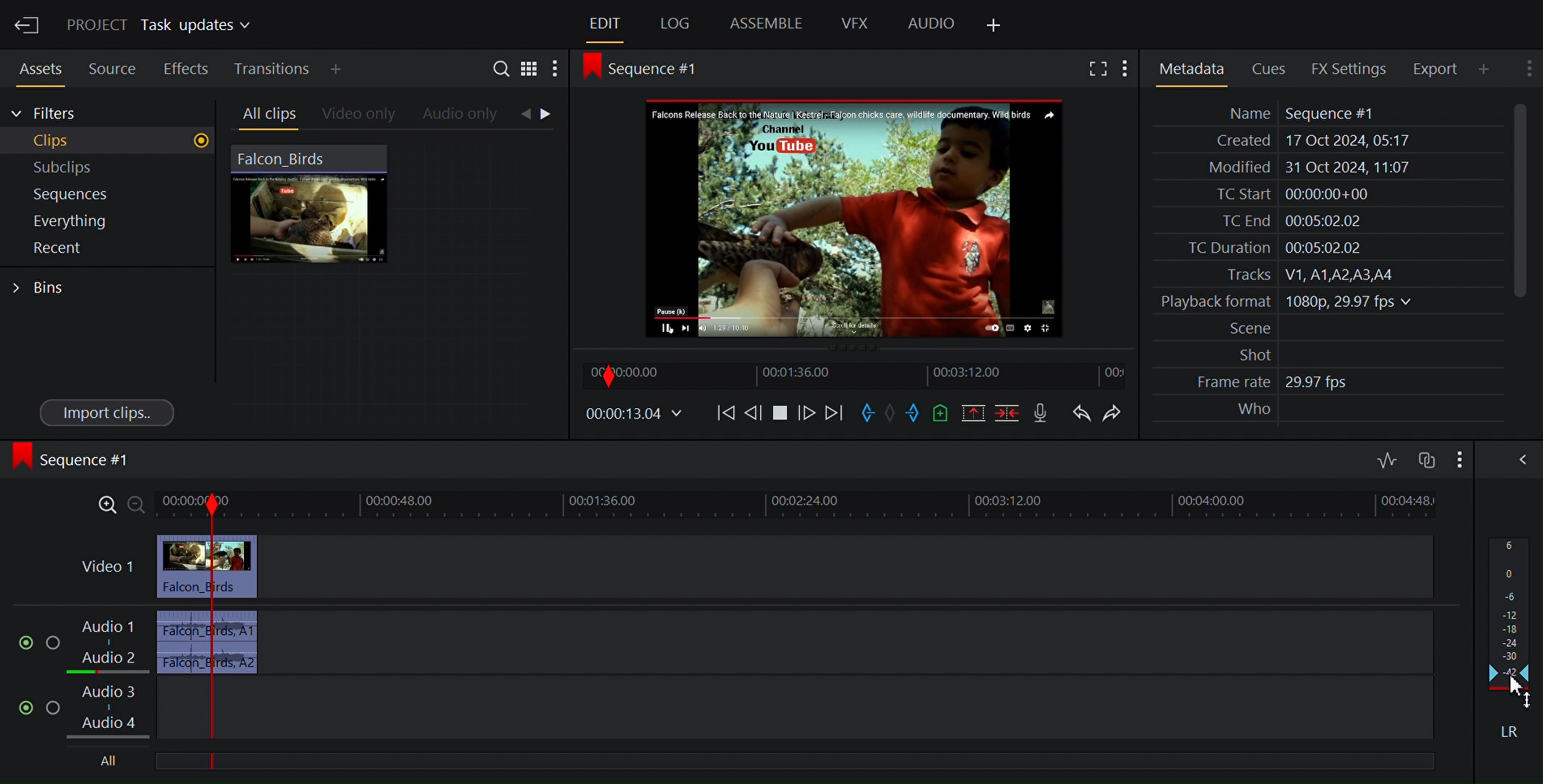  What do you see at coordinates (39, 69) in the screenshot?
I see `Assets` at bounding box center [39, 69].